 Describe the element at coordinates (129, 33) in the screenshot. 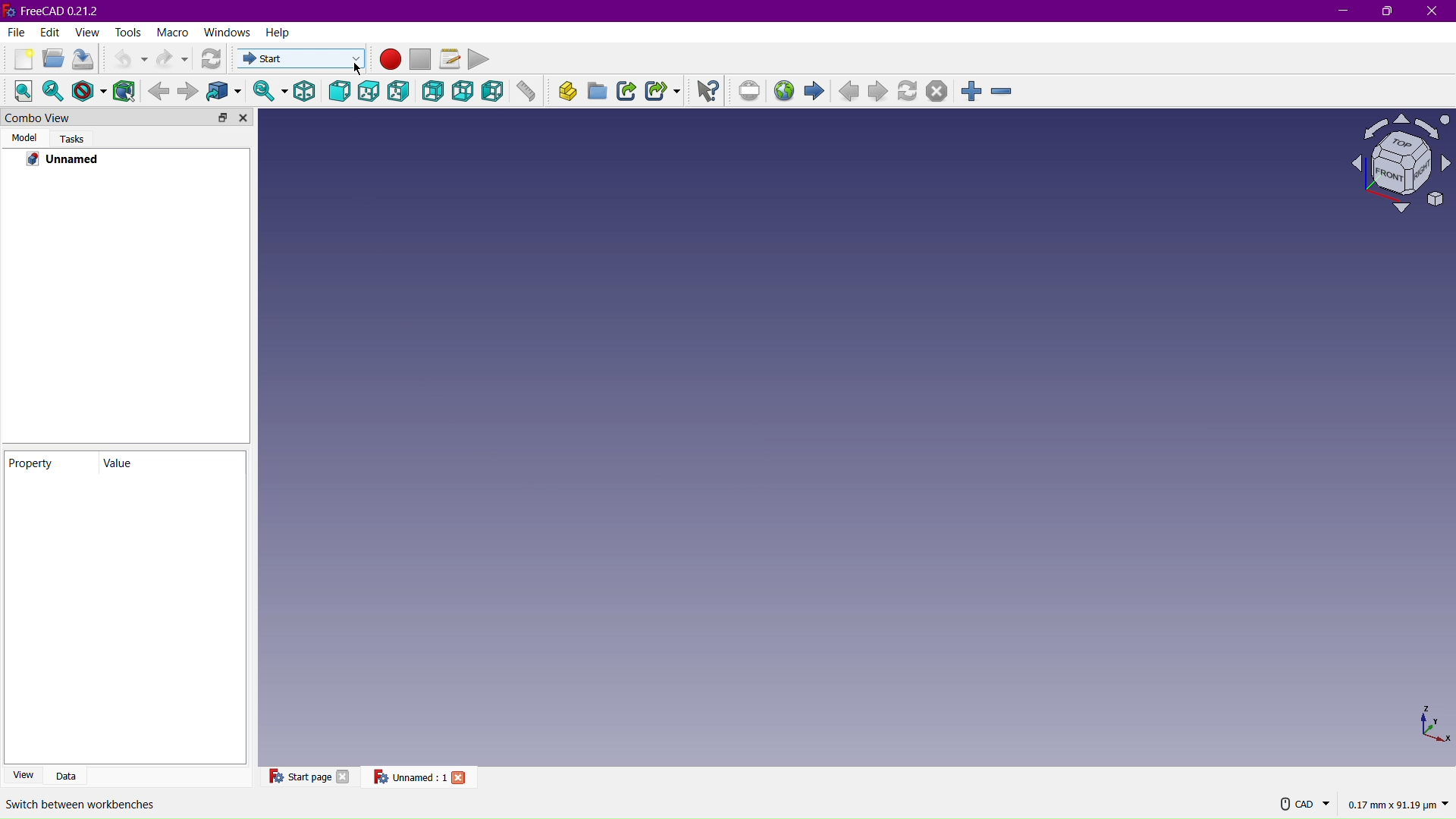

I see `Tools` at that location.